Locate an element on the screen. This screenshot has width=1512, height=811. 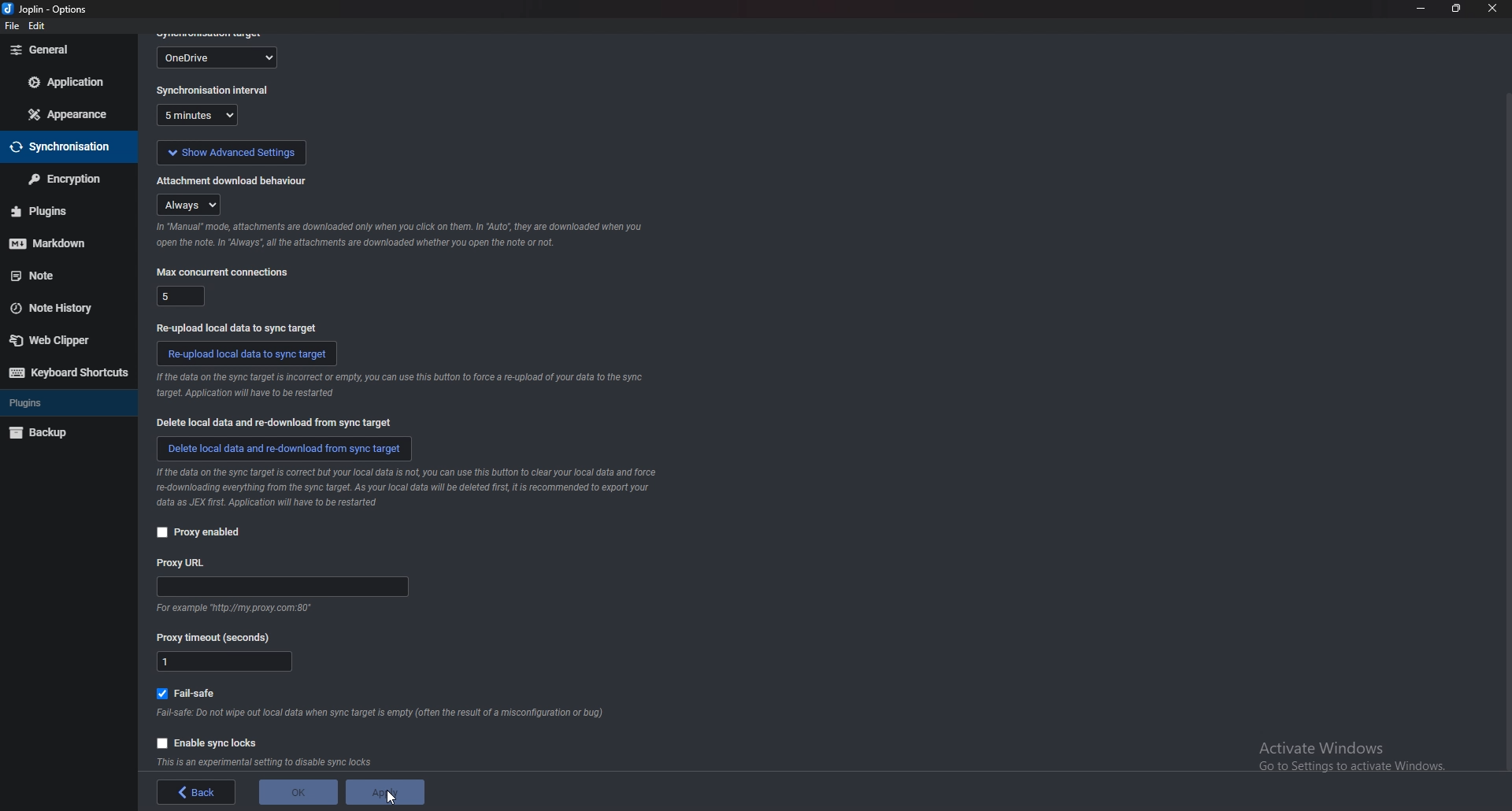
markdown is located at coordinates (57, 245).